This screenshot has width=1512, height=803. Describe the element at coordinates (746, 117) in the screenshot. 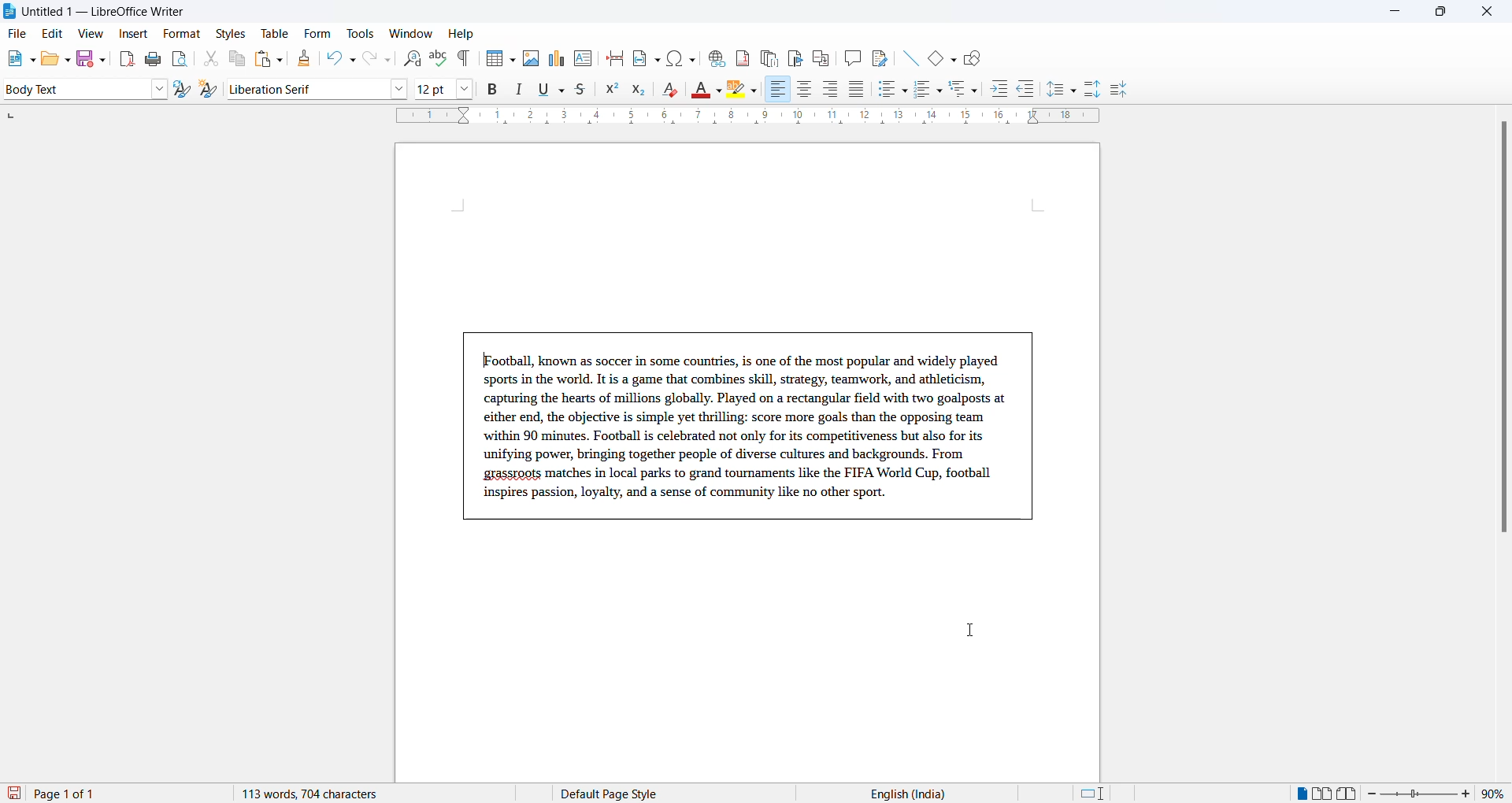

I see `scaling` at that location.